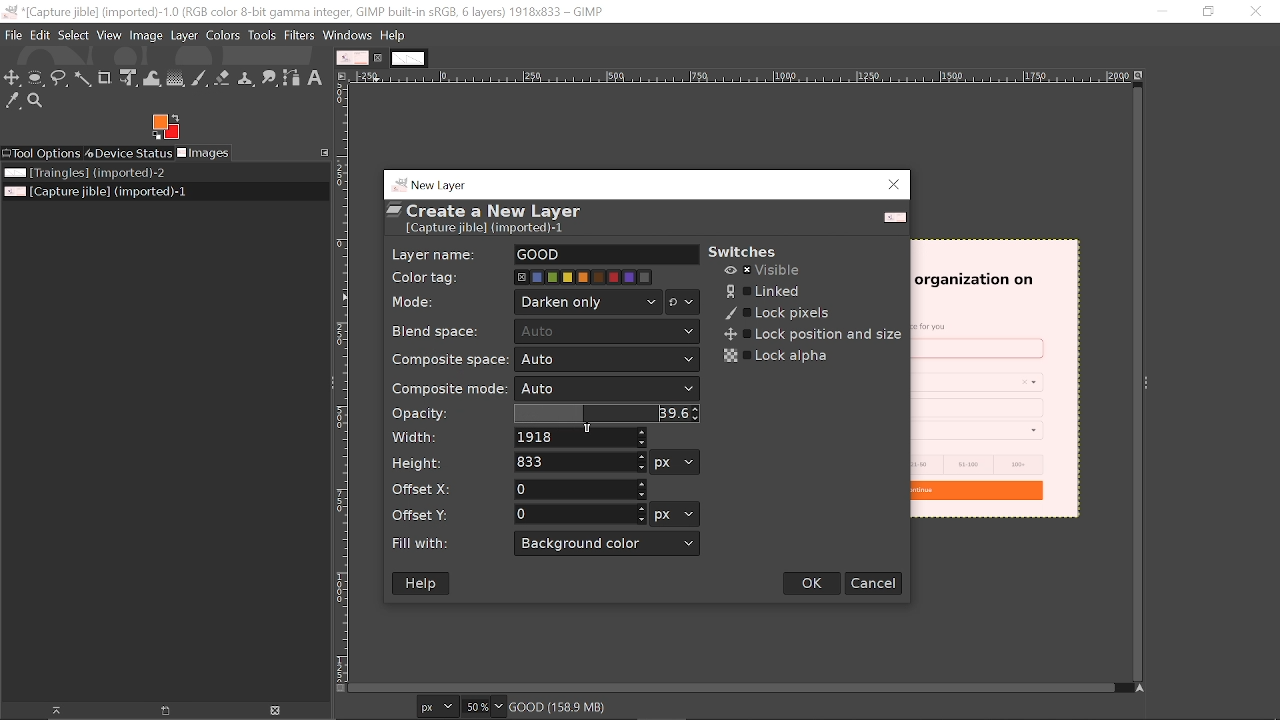 This screenshot has width=1280, height=720. Describe the element at coordinates (94, 192) in the screenshot. I see `Current image file` at that location.